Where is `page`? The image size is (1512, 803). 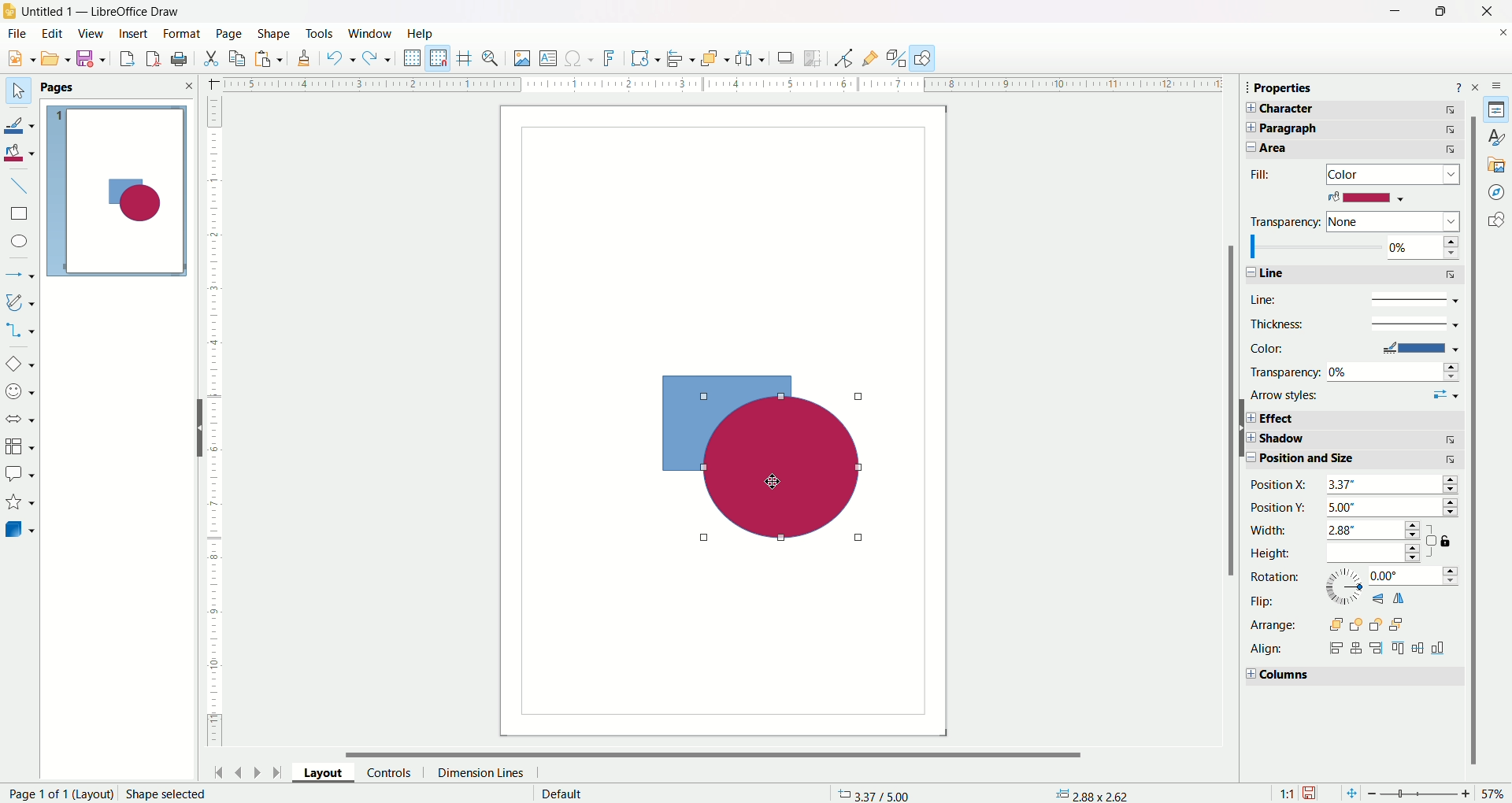
page is located at coordinates (122, 193).